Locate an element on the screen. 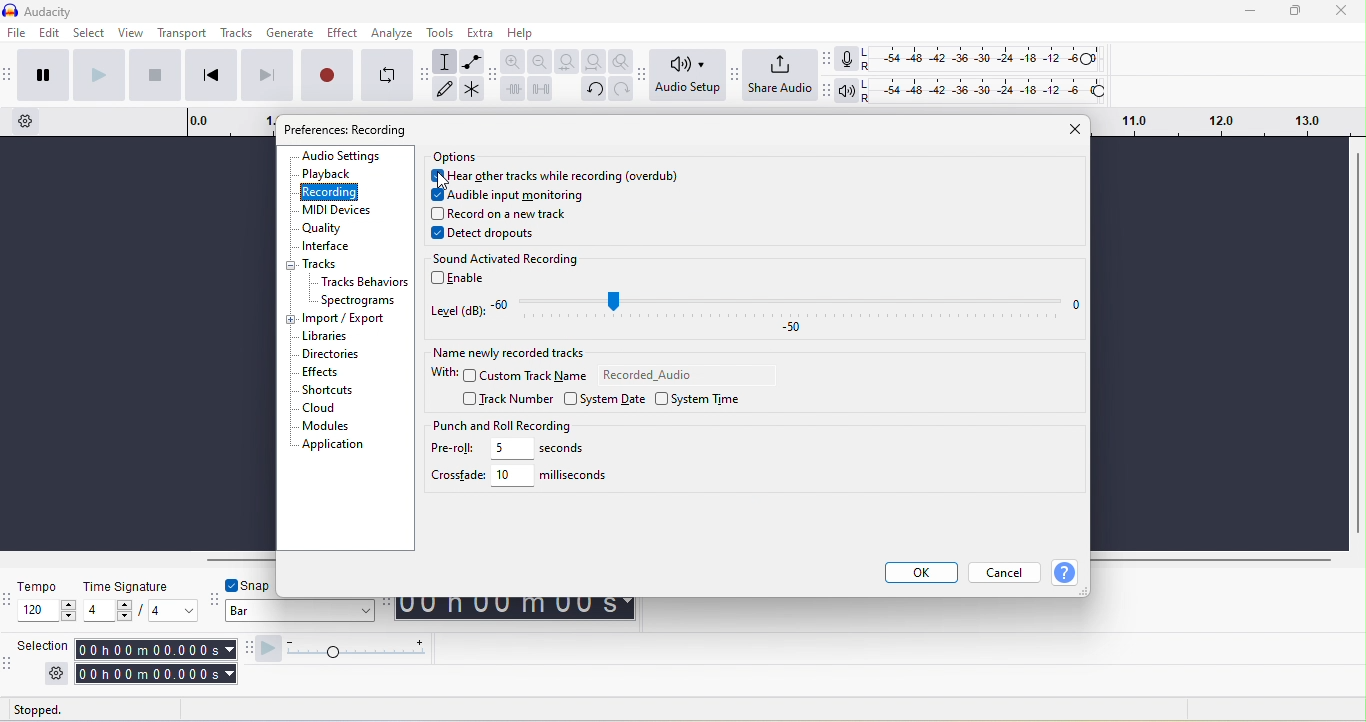 This screenshot has width=1366, height=722. spectograms is located at coordinates (353, 300).